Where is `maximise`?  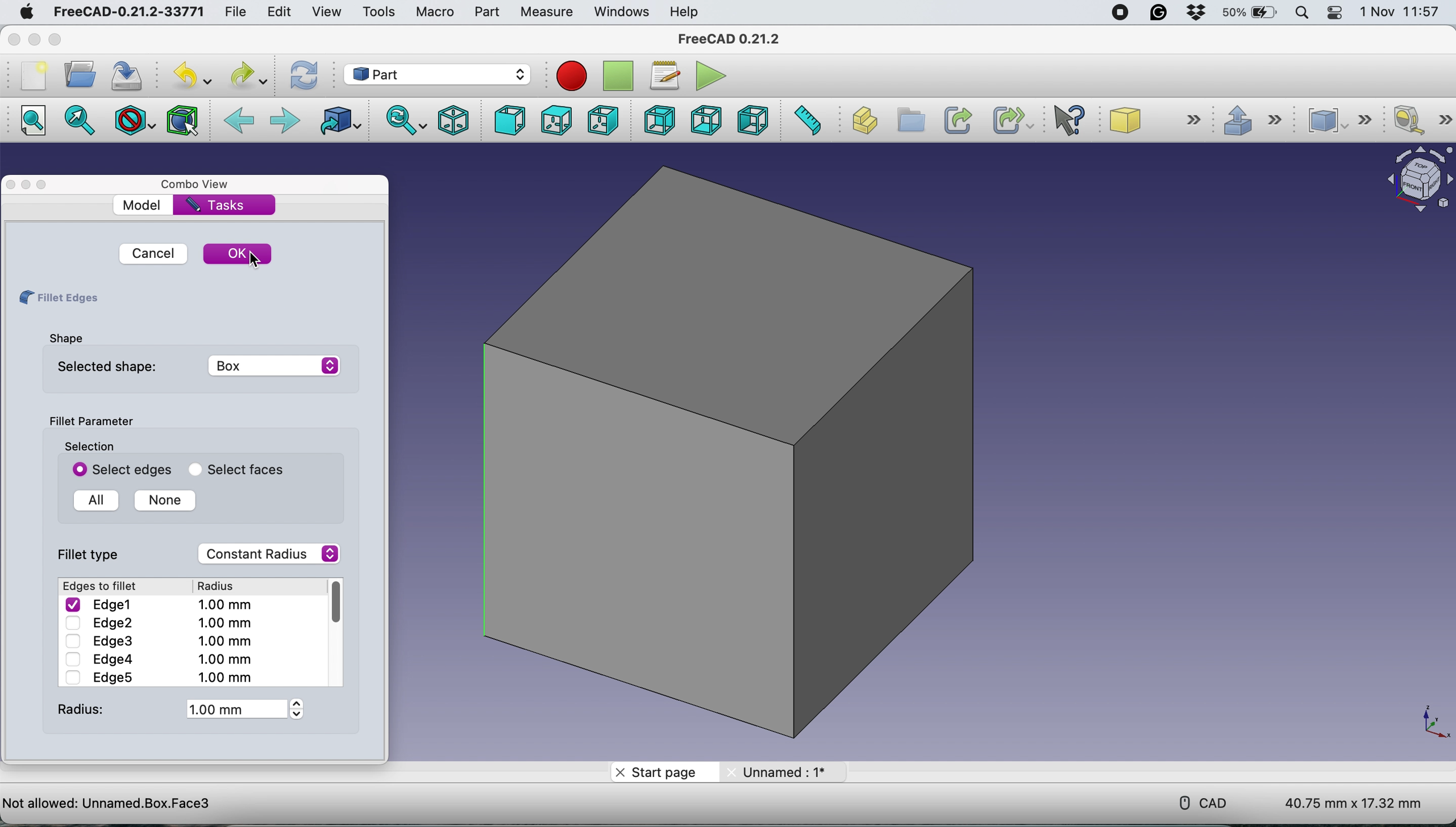
maximise is located at coordinates (47, 184).